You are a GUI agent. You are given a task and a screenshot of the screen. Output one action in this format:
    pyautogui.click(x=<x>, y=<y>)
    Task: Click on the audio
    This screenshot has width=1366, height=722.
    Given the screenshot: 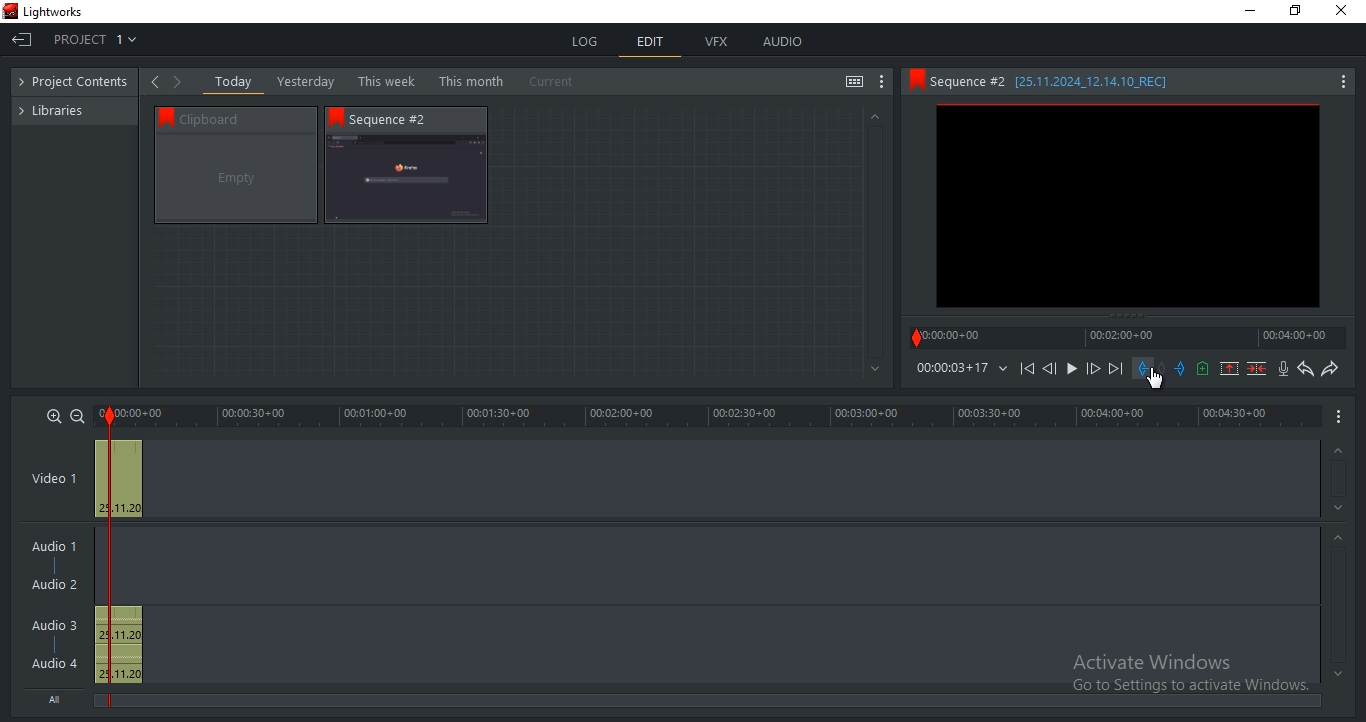 What is the action you would take?
    pyautogui.click(x=782, y=41)
    